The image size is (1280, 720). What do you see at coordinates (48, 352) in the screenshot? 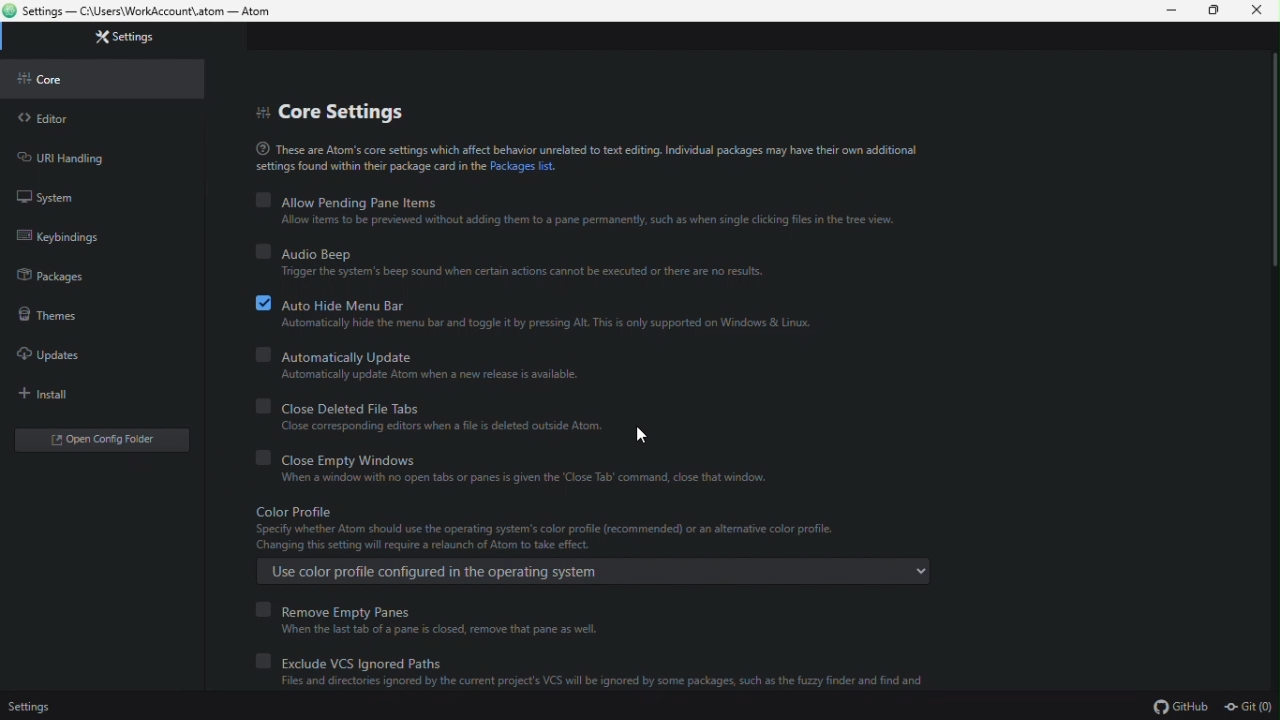
I see `Updates` at bounding box center [48, 352].